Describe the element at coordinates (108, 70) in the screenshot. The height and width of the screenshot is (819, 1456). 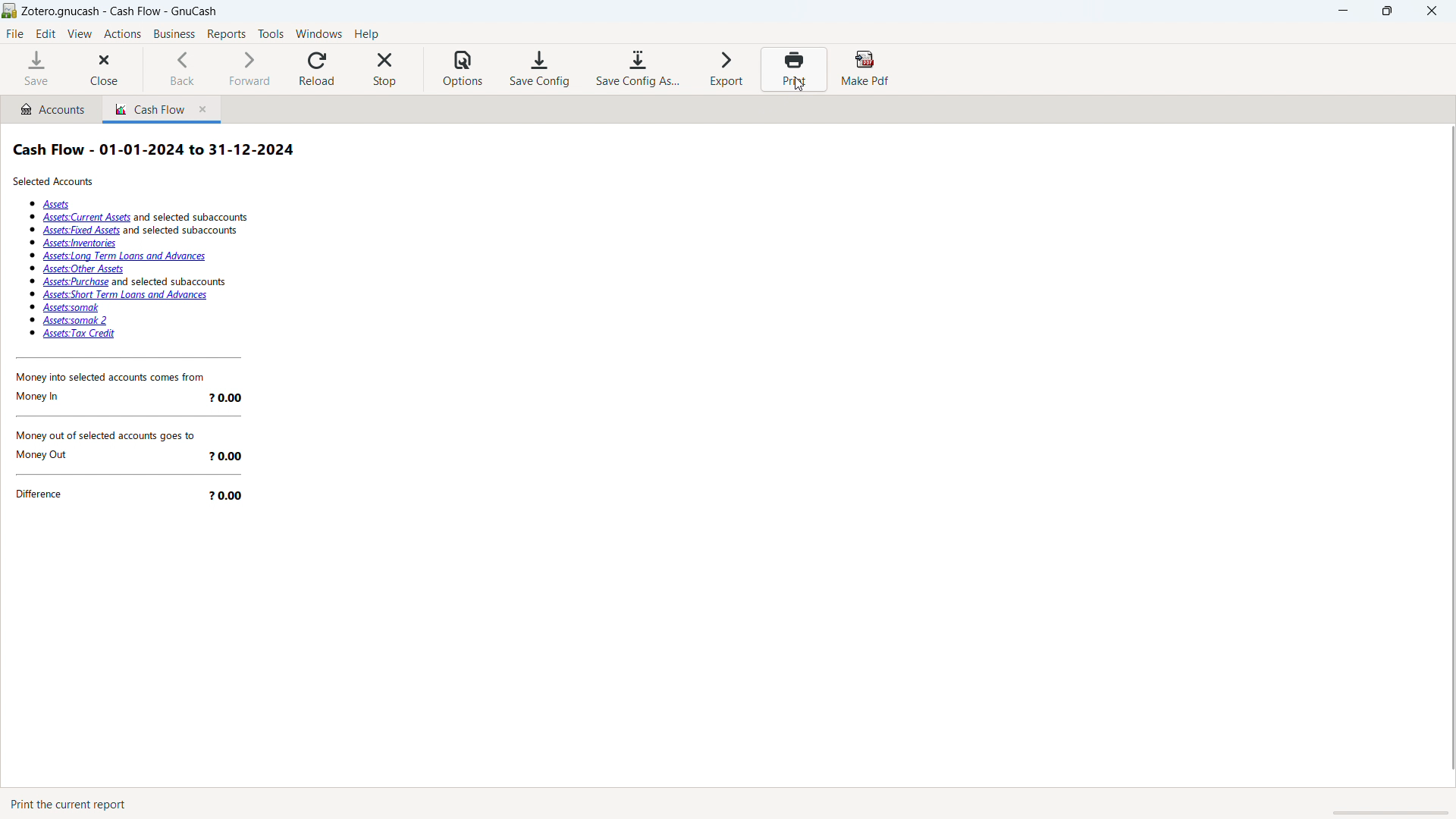
I see `close` at that location.